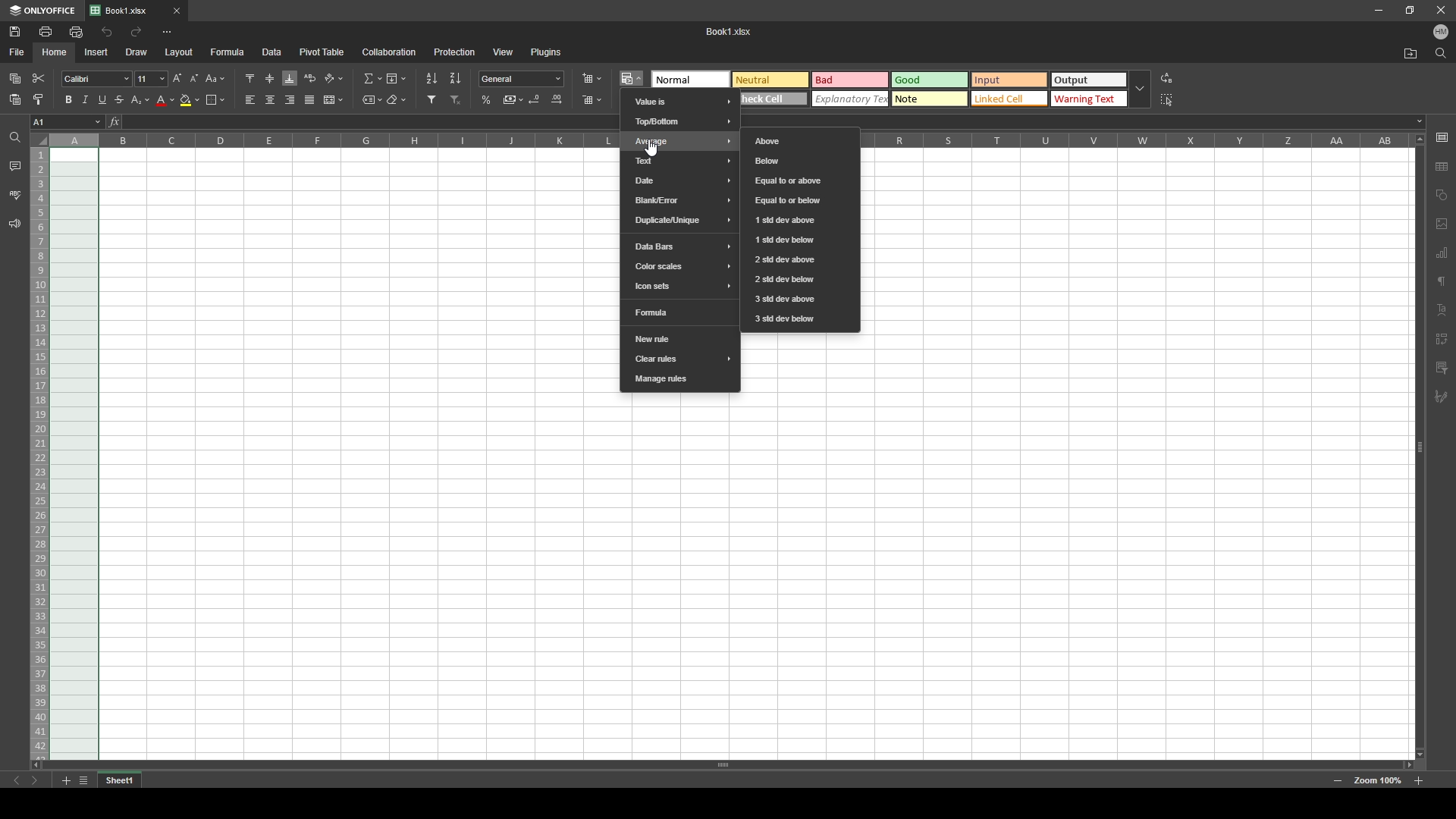 The image size is (1456, 819). What do you see at coordinates (85, 99) in the screenshot?
I see `italic` at bounding box center [85, 99].